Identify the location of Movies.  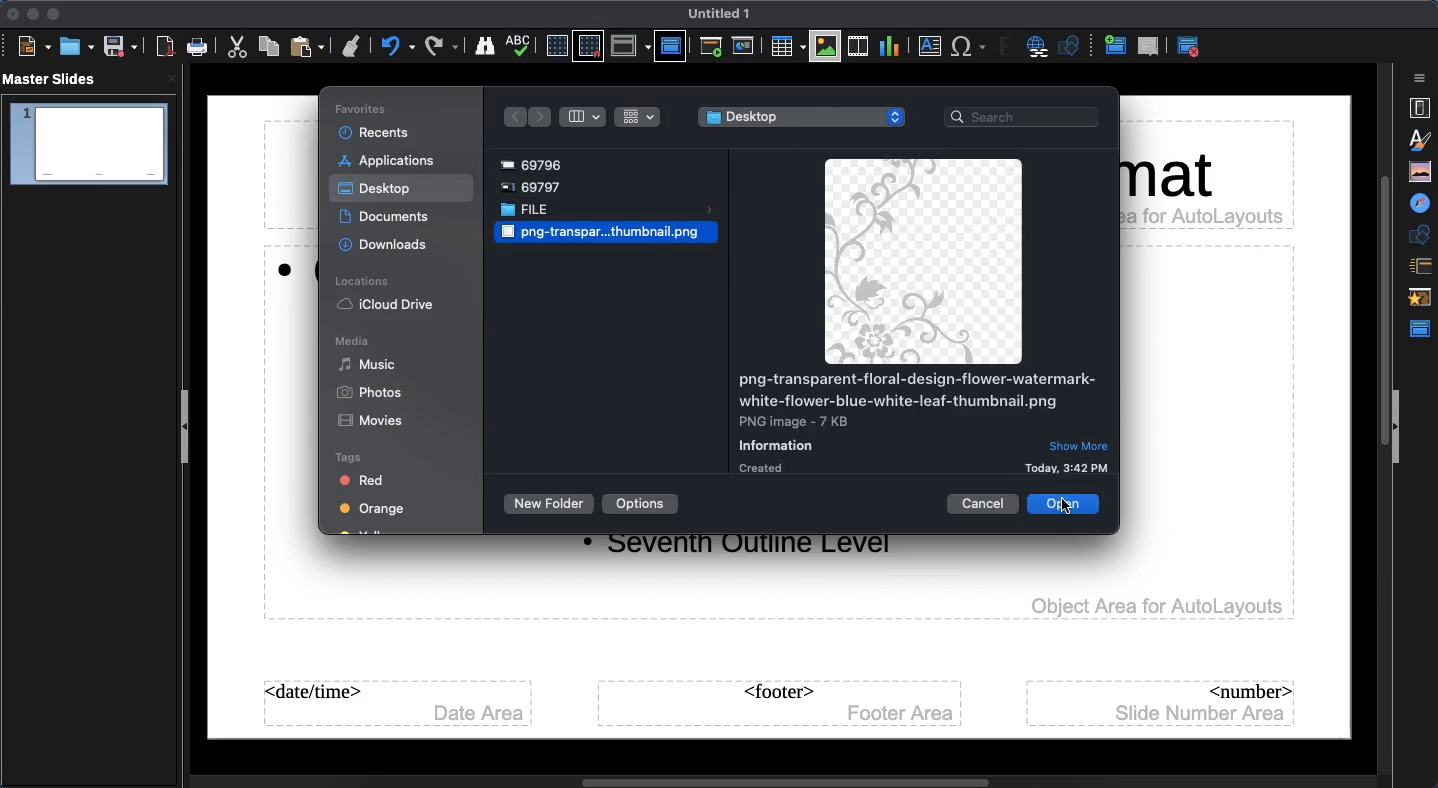
(373, 421).